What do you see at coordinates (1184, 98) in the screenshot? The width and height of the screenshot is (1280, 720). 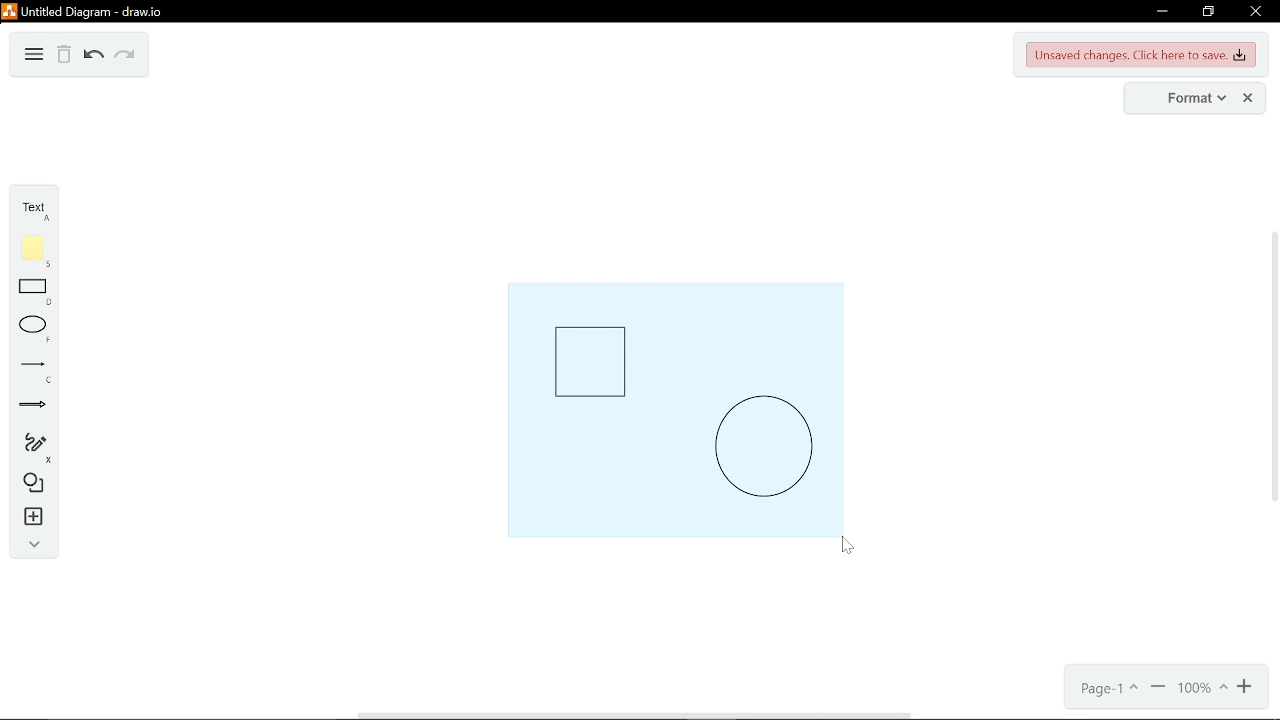 I see `format` at bounding box center [1184, 98].